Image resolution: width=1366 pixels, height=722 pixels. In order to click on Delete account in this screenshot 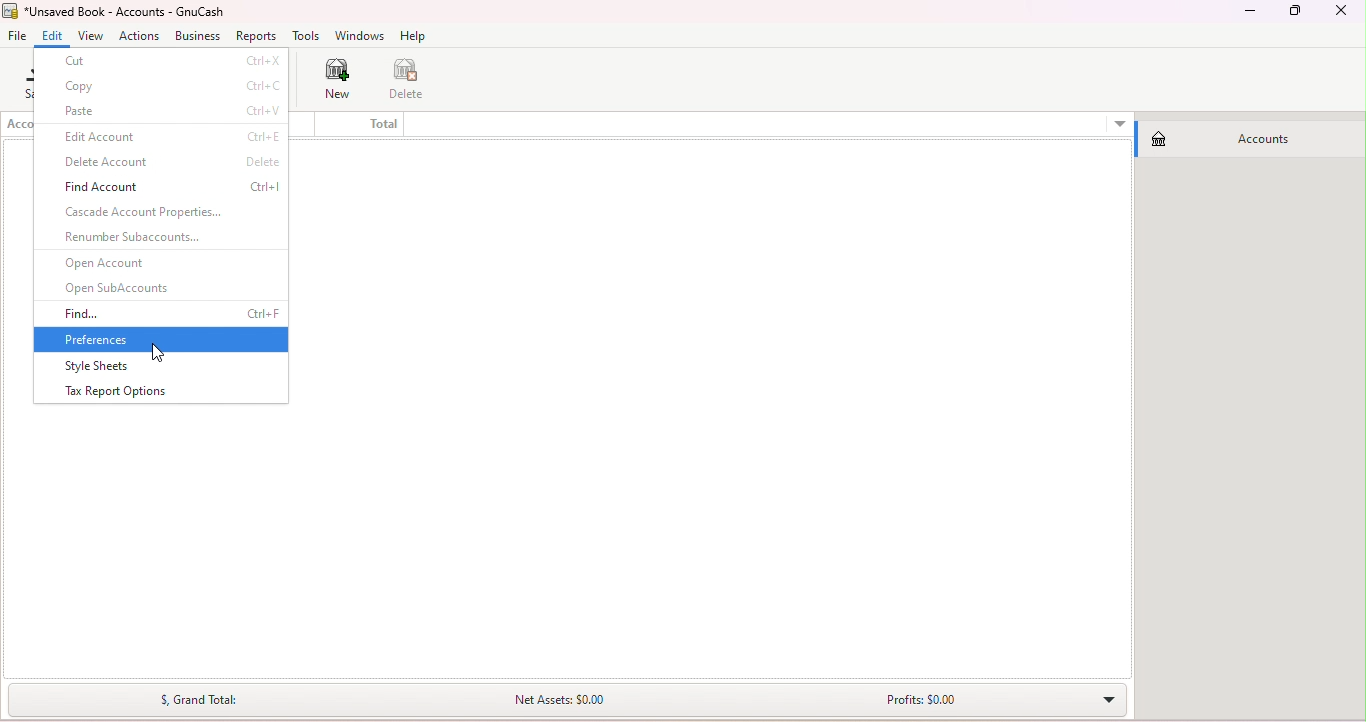, I will do `click(164, 162)`.